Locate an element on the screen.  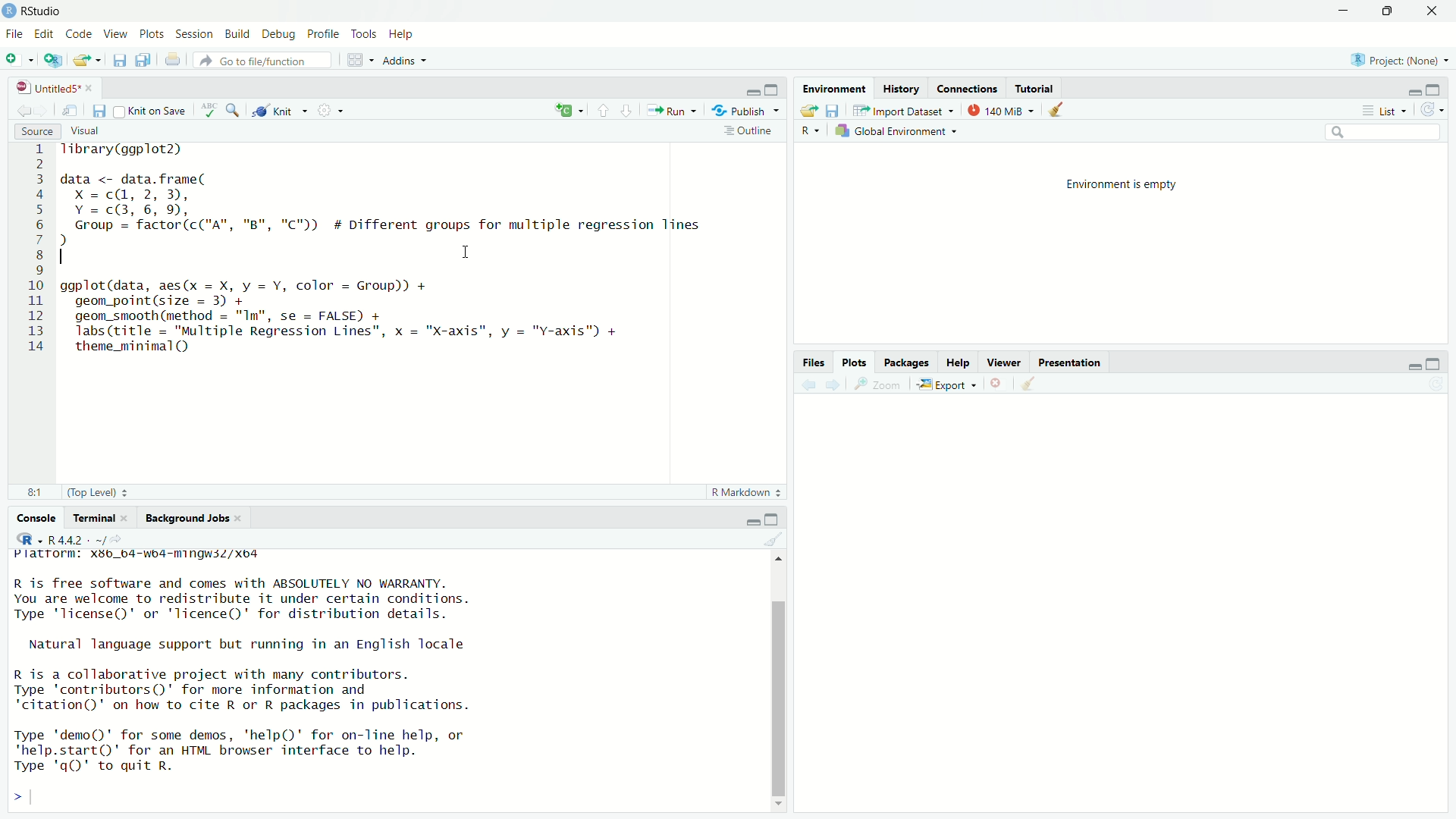
maximise is located at coordinates (1392, 12).